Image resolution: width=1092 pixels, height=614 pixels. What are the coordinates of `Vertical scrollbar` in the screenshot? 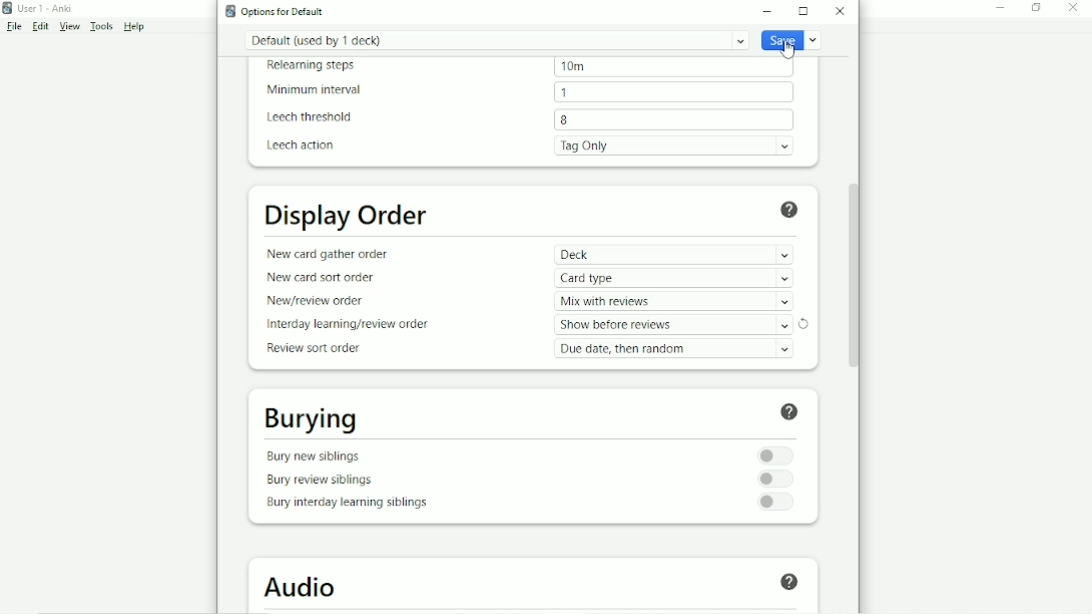 It's located at (851, 274).